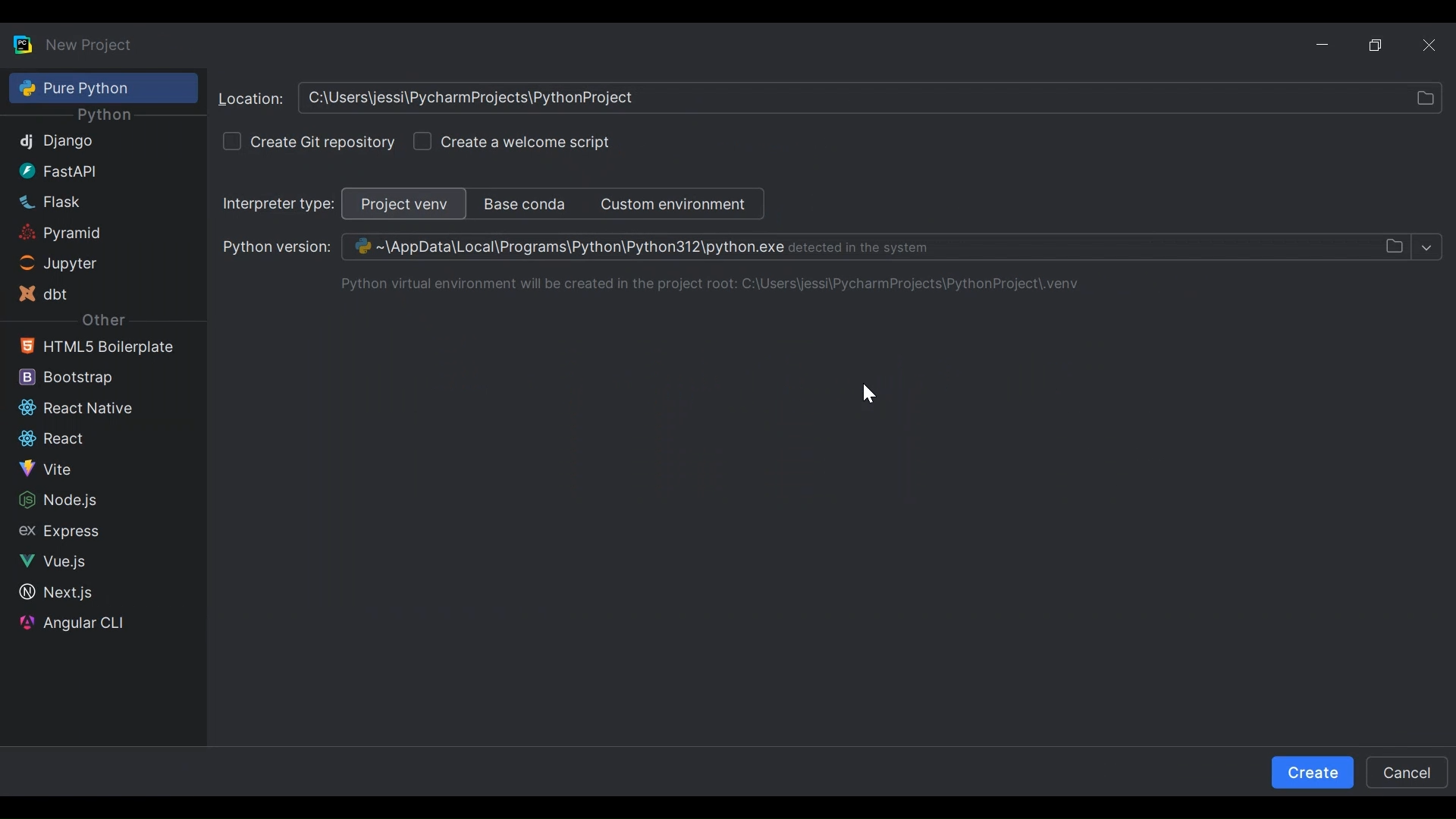  I want to click on Pyramid, so click(94, 234).